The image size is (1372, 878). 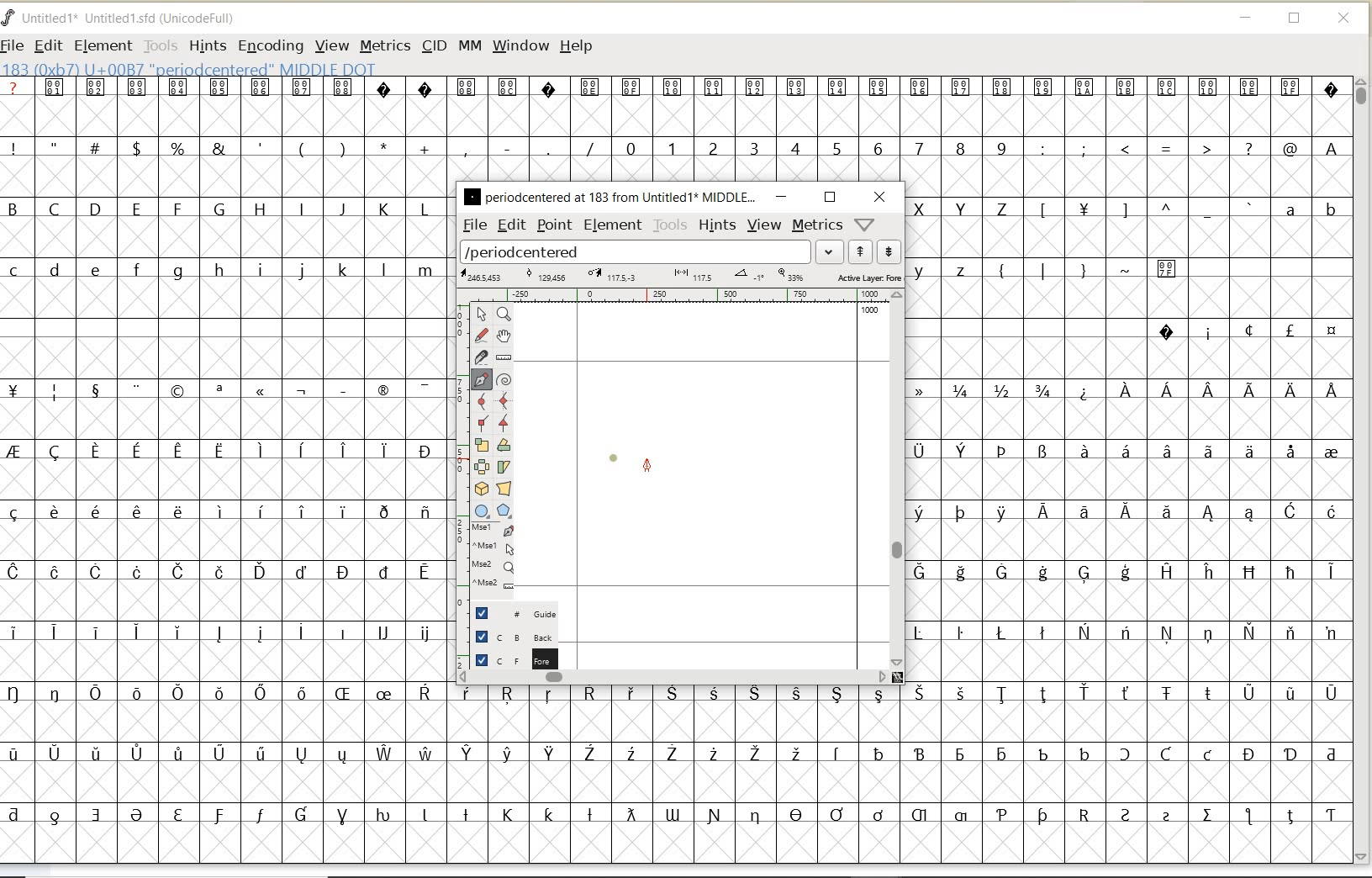 What do you see at coordinates (224, 271) in the screenshot?
I see `lowercase letters` at bounding box center [224, 271].